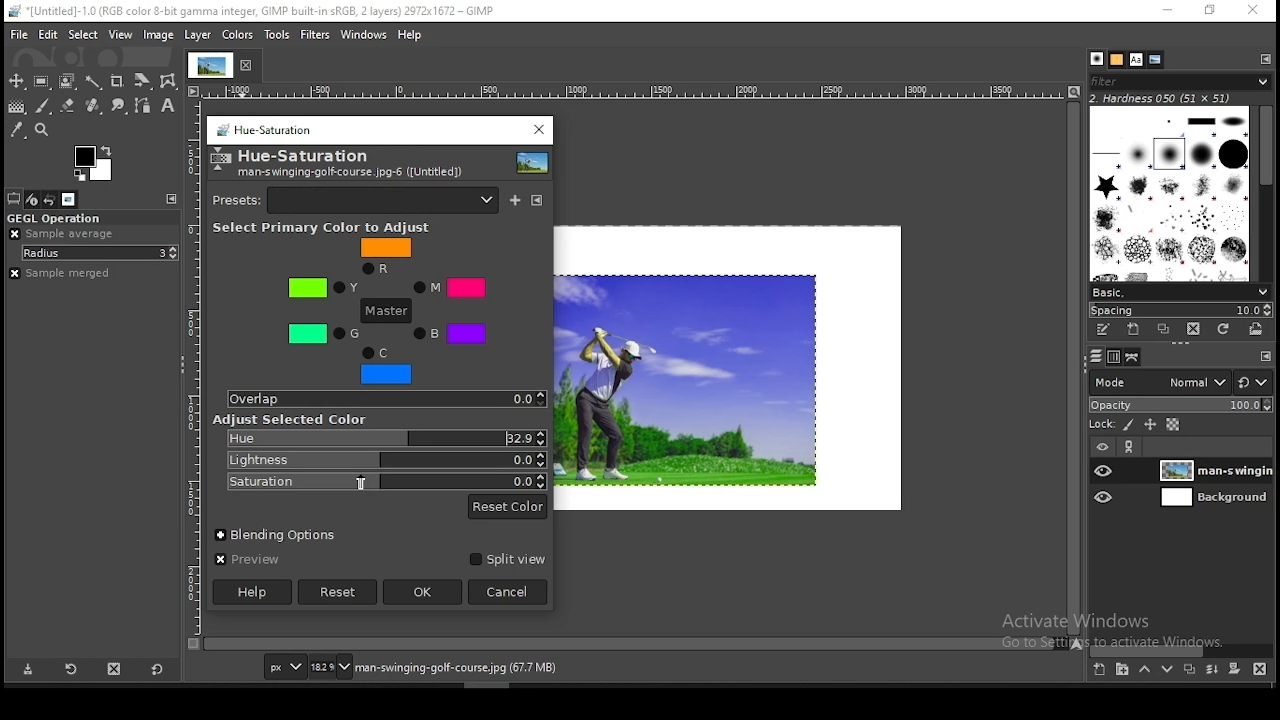 Image resolution: width=1280 pixels, height=720 pixels. What do you see at coordinates (323, 334) in the screenshot?
I see `G` at bounding box center [323, 334].